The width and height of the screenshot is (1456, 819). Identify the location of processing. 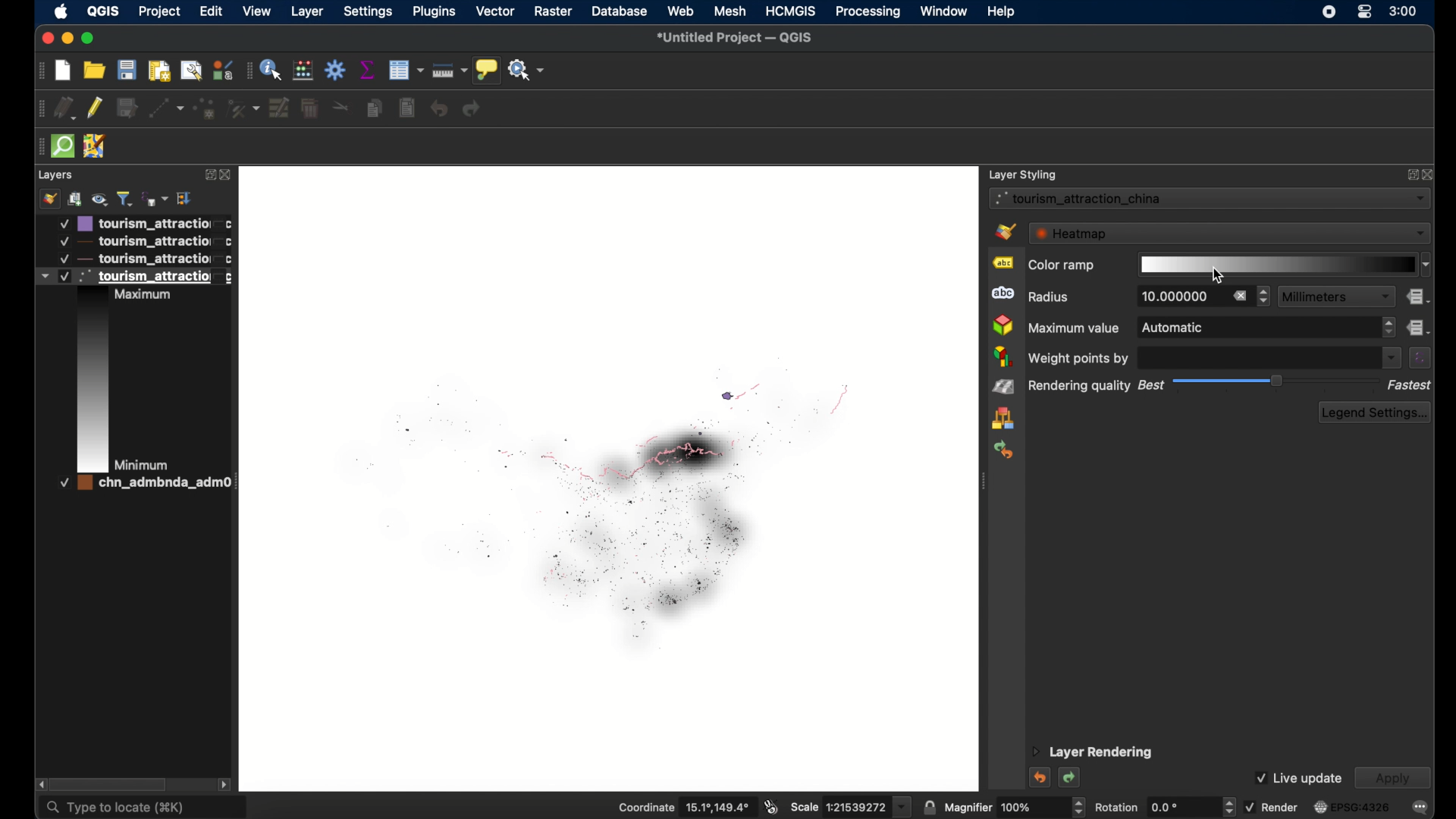
(867, 12).